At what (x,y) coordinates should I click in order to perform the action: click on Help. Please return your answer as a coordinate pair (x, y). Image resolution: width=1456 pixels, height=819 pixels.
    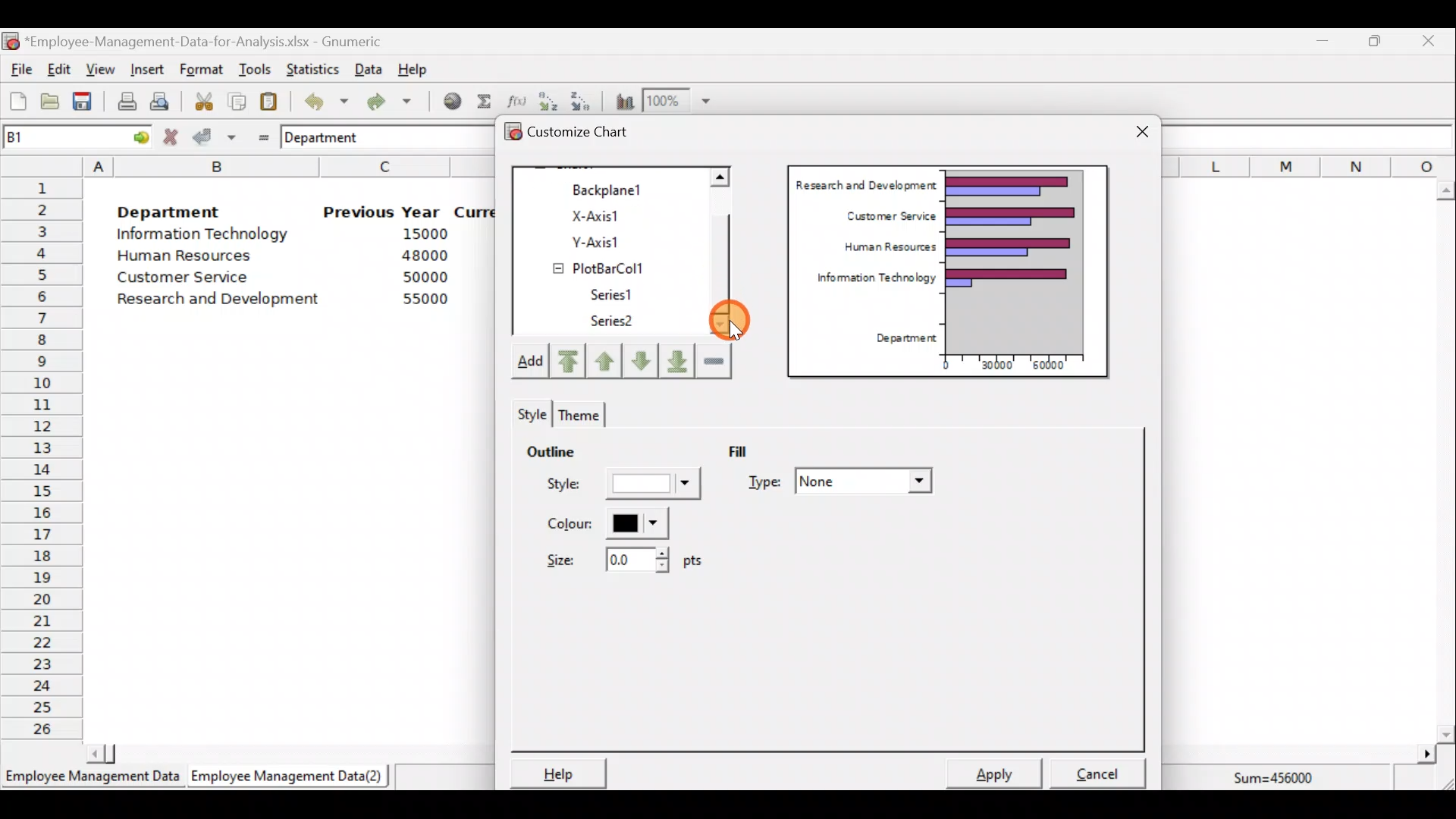
    Looking at the image, I should click on (556, 773).